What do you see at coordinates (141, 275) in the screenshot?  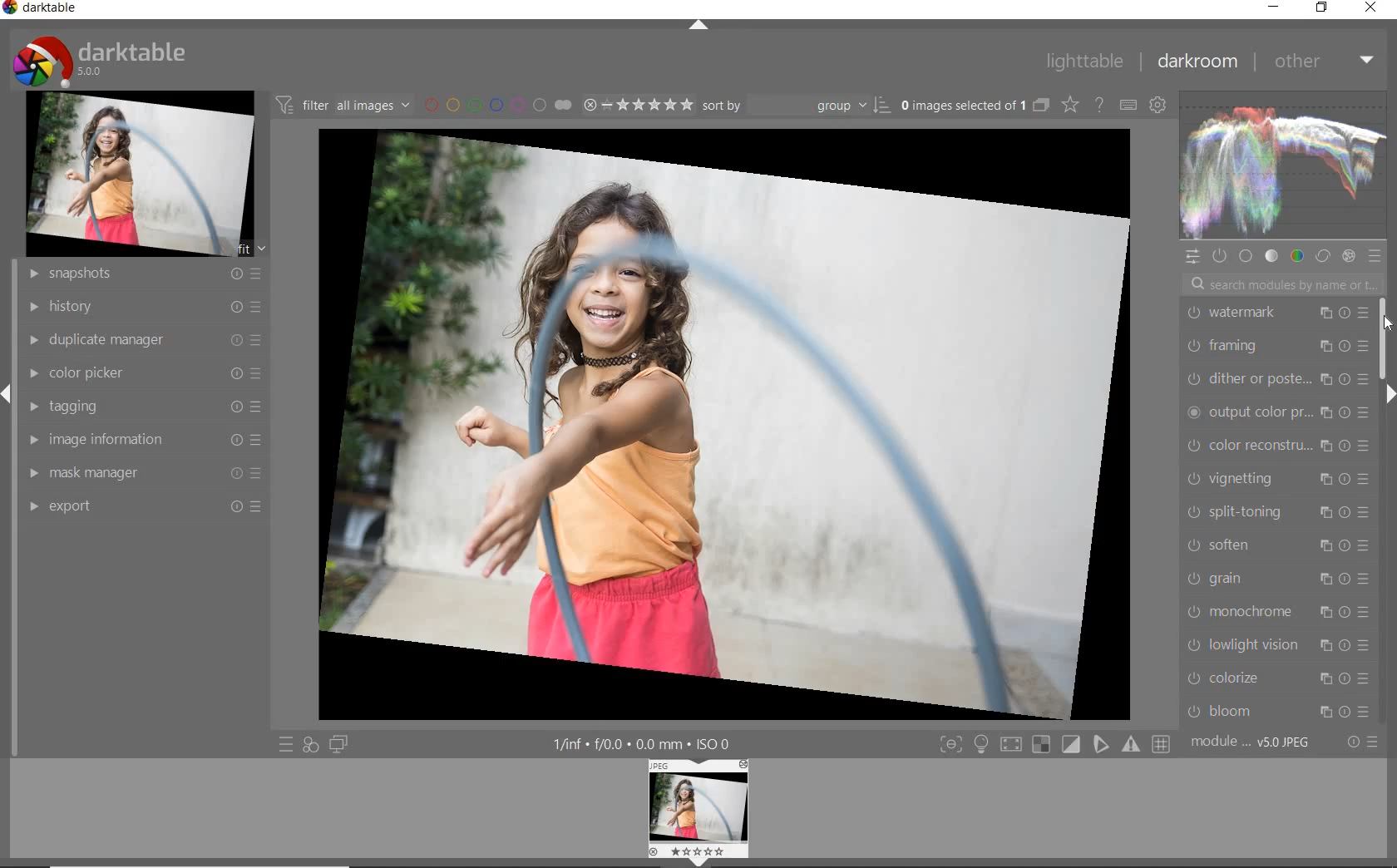 I see `snapshots` at bounding box center [141, 275].